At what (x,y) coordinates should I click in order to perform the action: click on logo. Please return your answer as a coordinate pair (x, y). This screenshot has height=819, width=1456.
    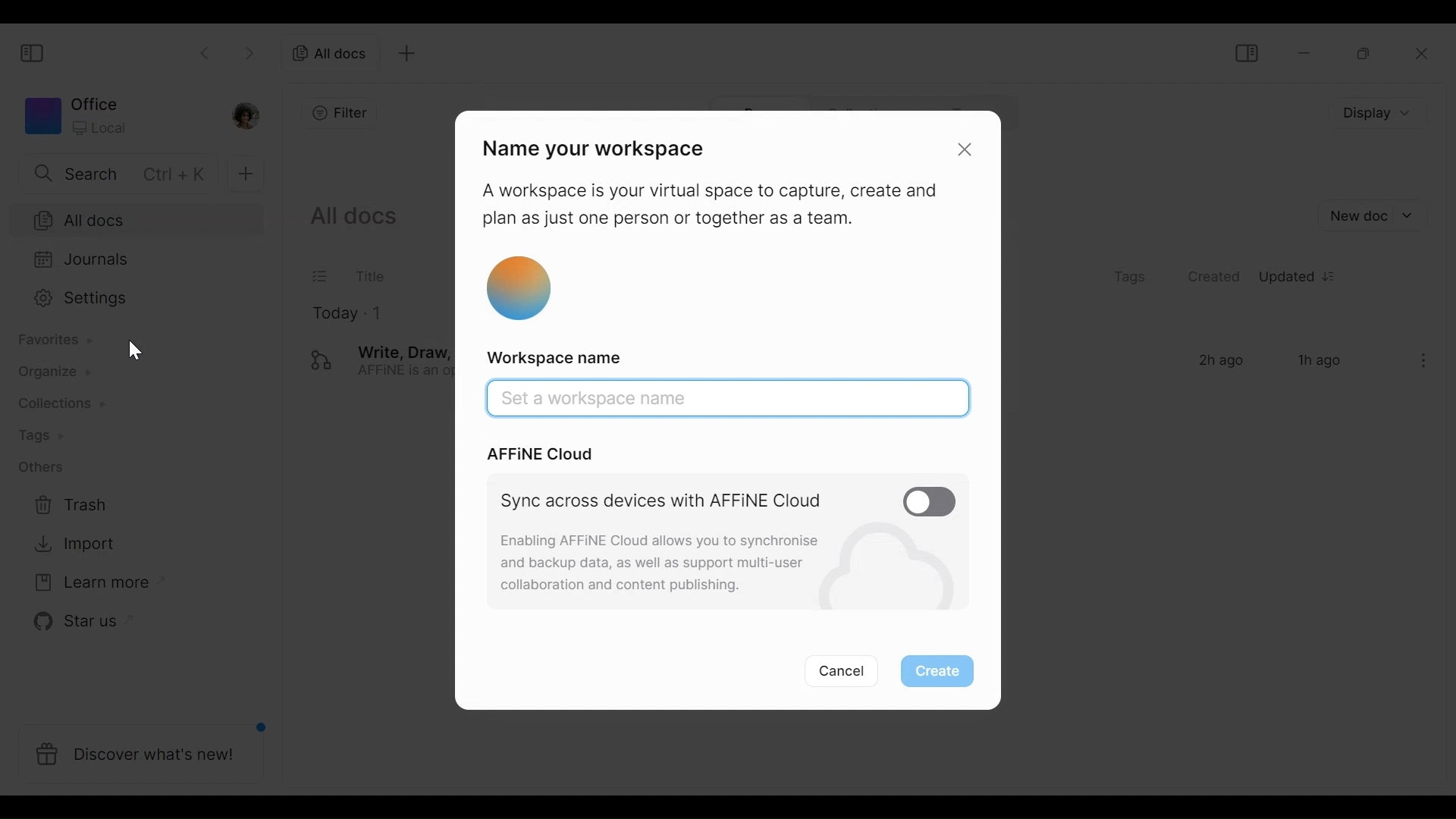
    Looking at the image, I should click on (322, 359).